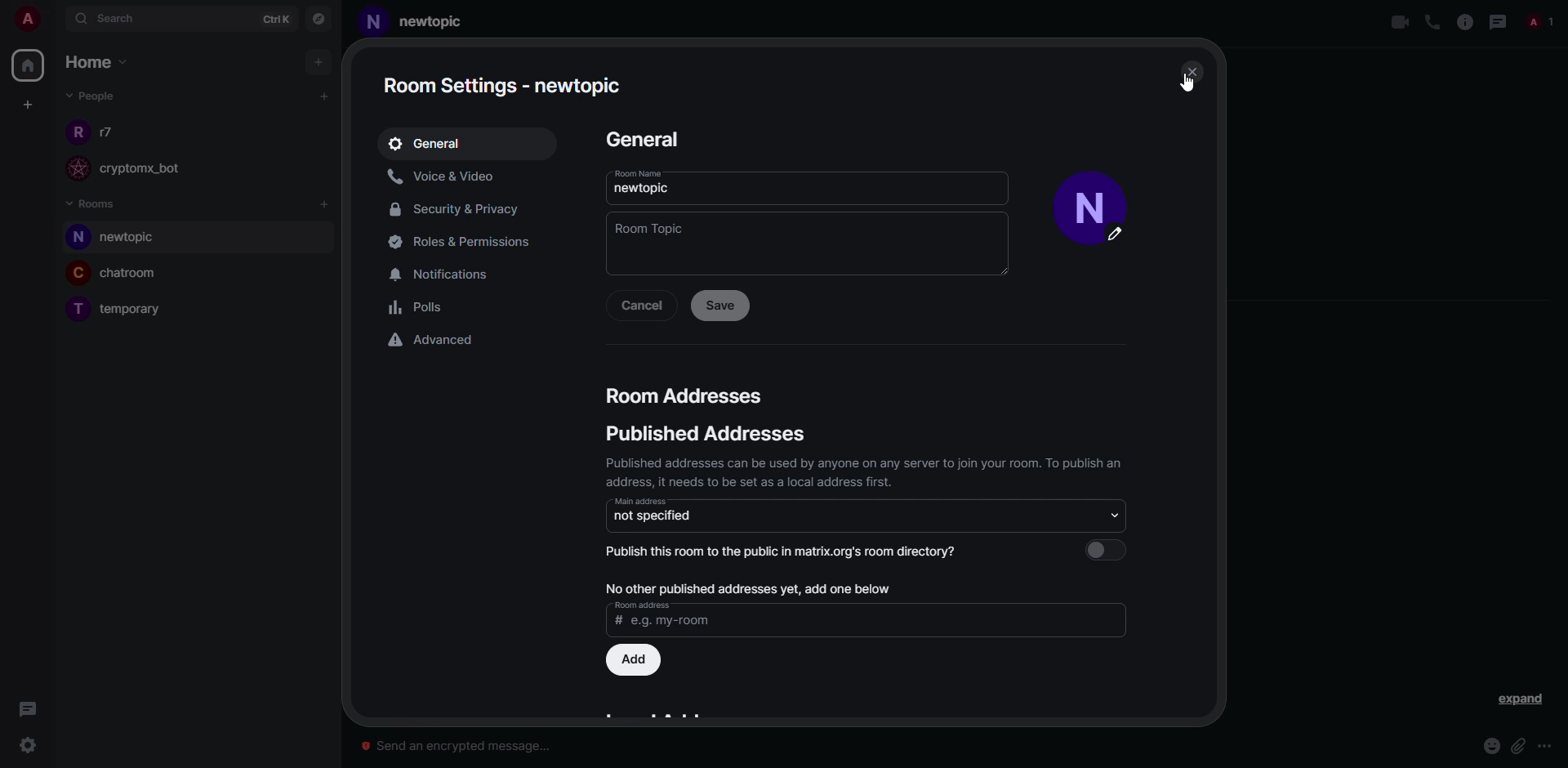 This screenshot has height=768, width=1568. Describe the element at coordinates (789, 551) in the screenshot. I see `publish this room` at that location.